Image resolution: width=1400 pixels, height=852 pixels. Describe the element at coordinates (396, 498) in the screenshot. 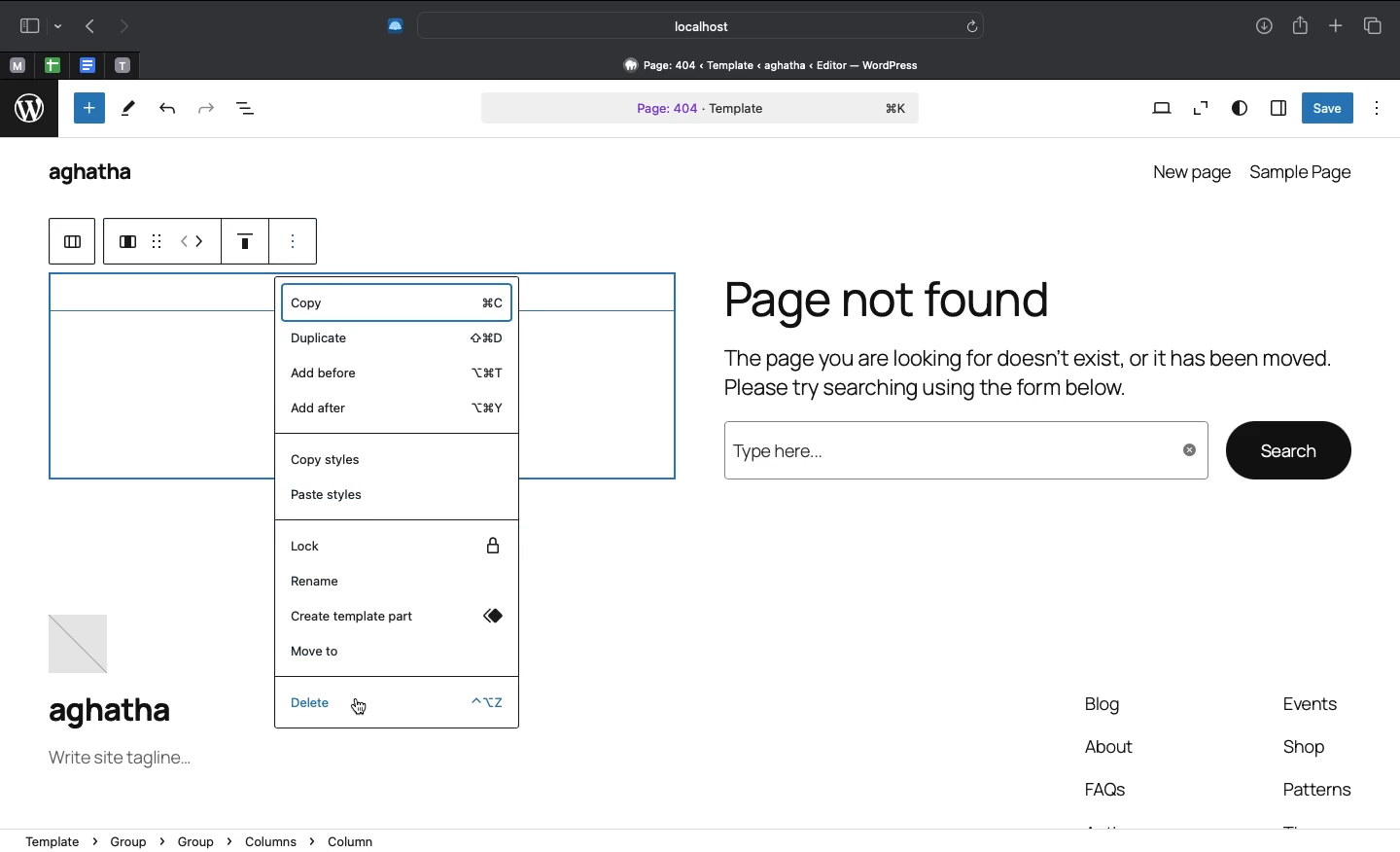

I see `paste styles` at that location.